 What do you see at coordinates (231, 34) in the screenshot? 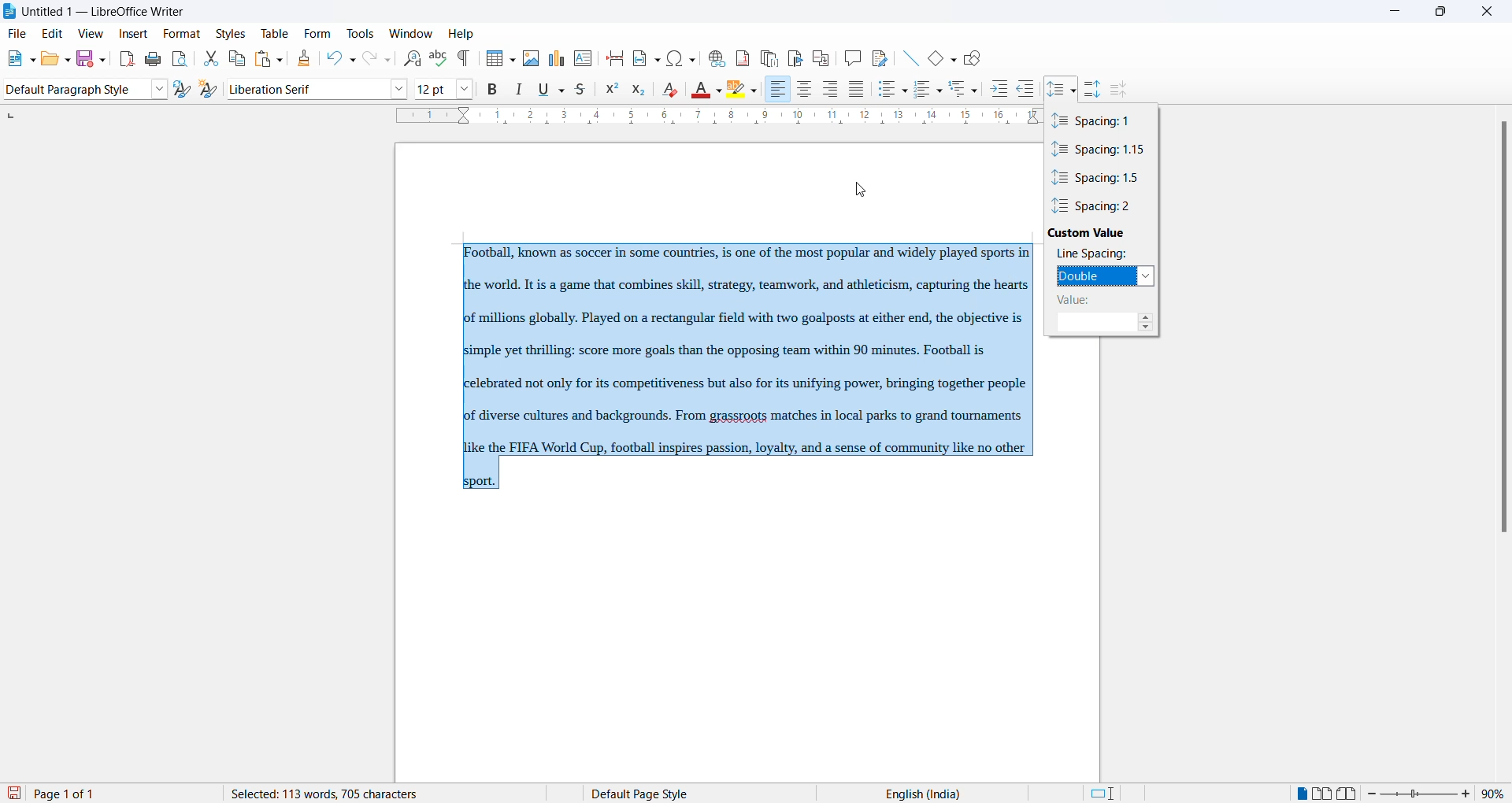
I see `styles` at bounding box center [231, 34].